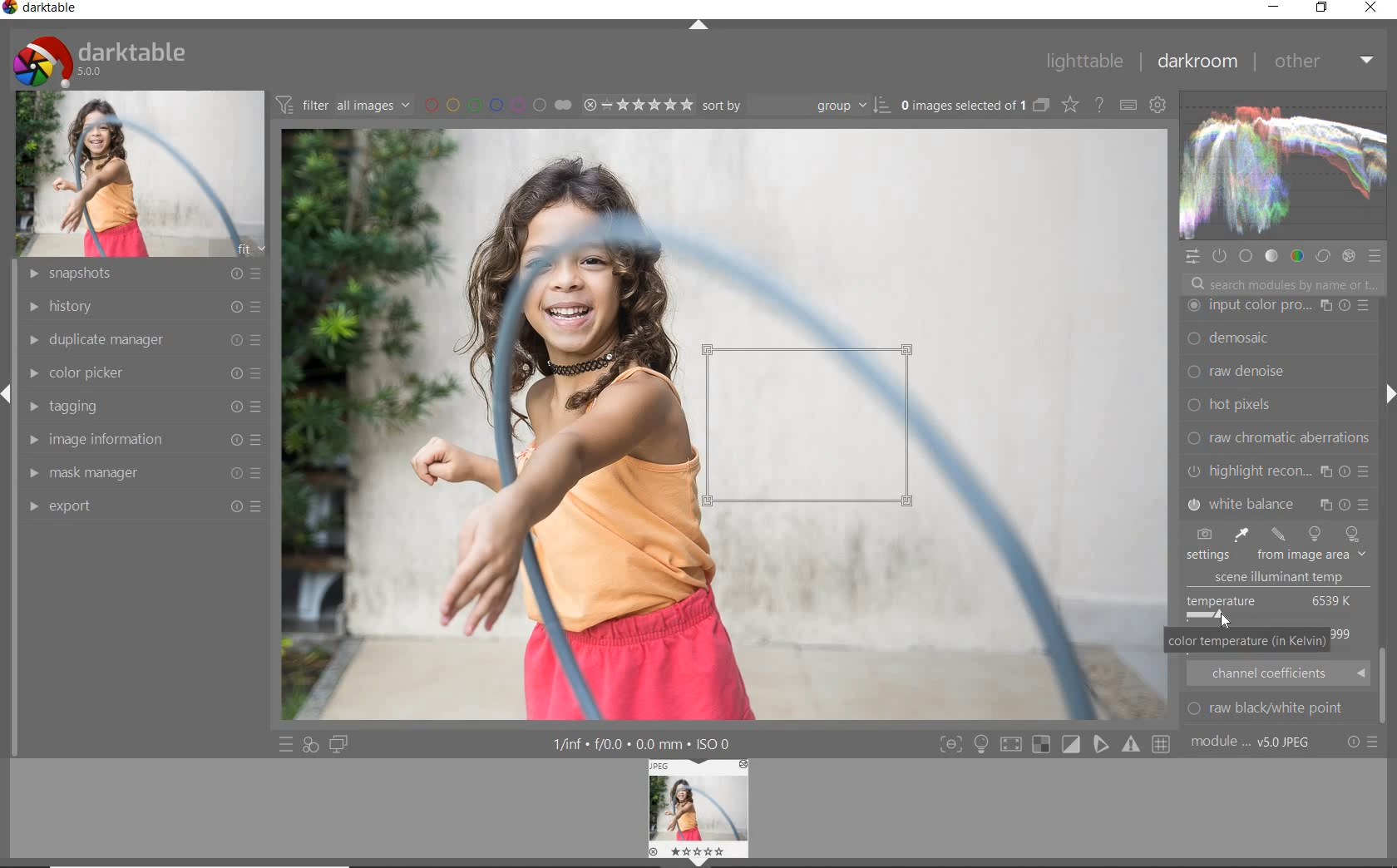 The image size is (1397, 868). What do you see at coordinates (1071, 744) in the screenshot?
I see `toggle mode ` at bounding box center [1071, 744].